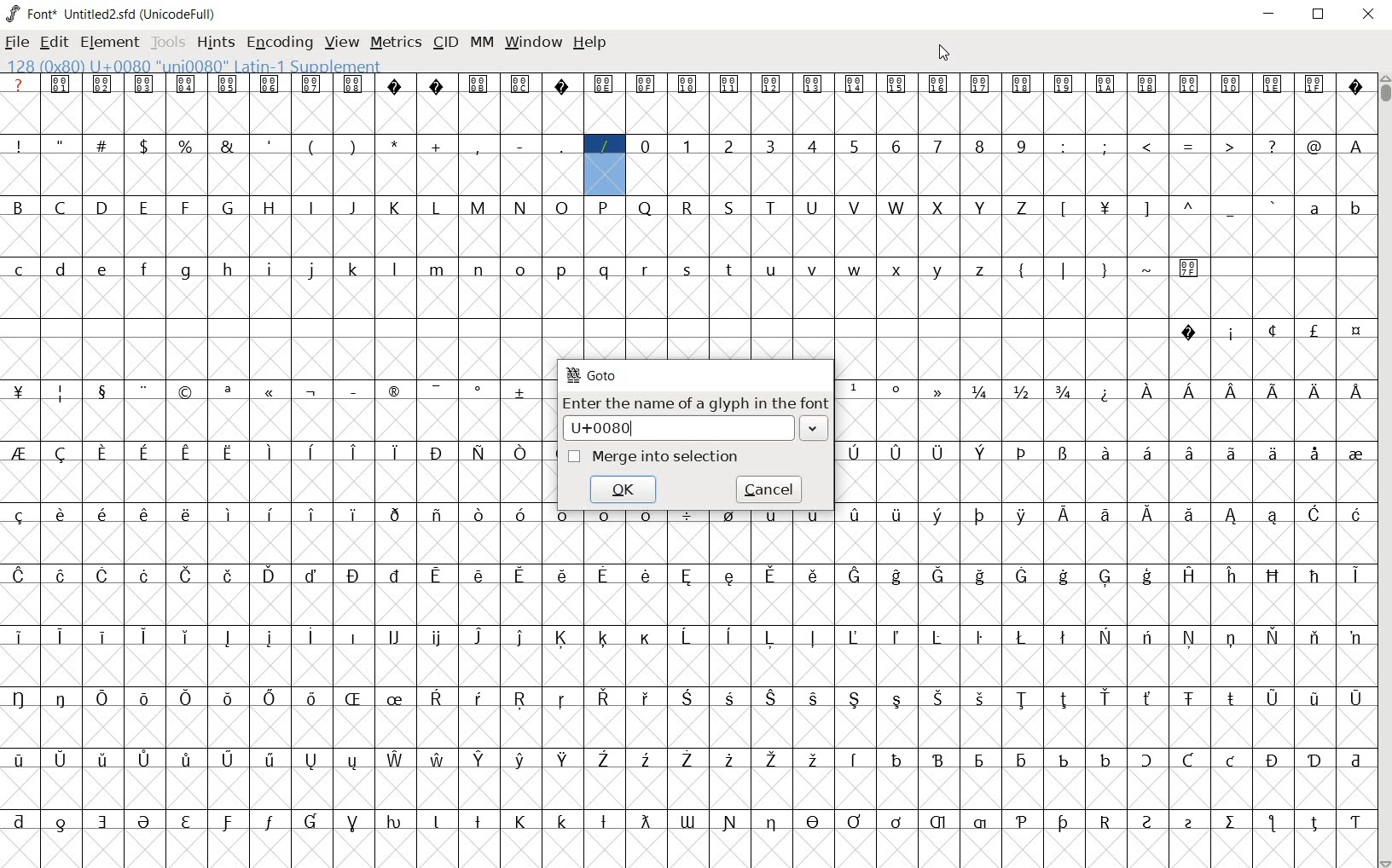  I want to click on glyph, so click(1317, 392).